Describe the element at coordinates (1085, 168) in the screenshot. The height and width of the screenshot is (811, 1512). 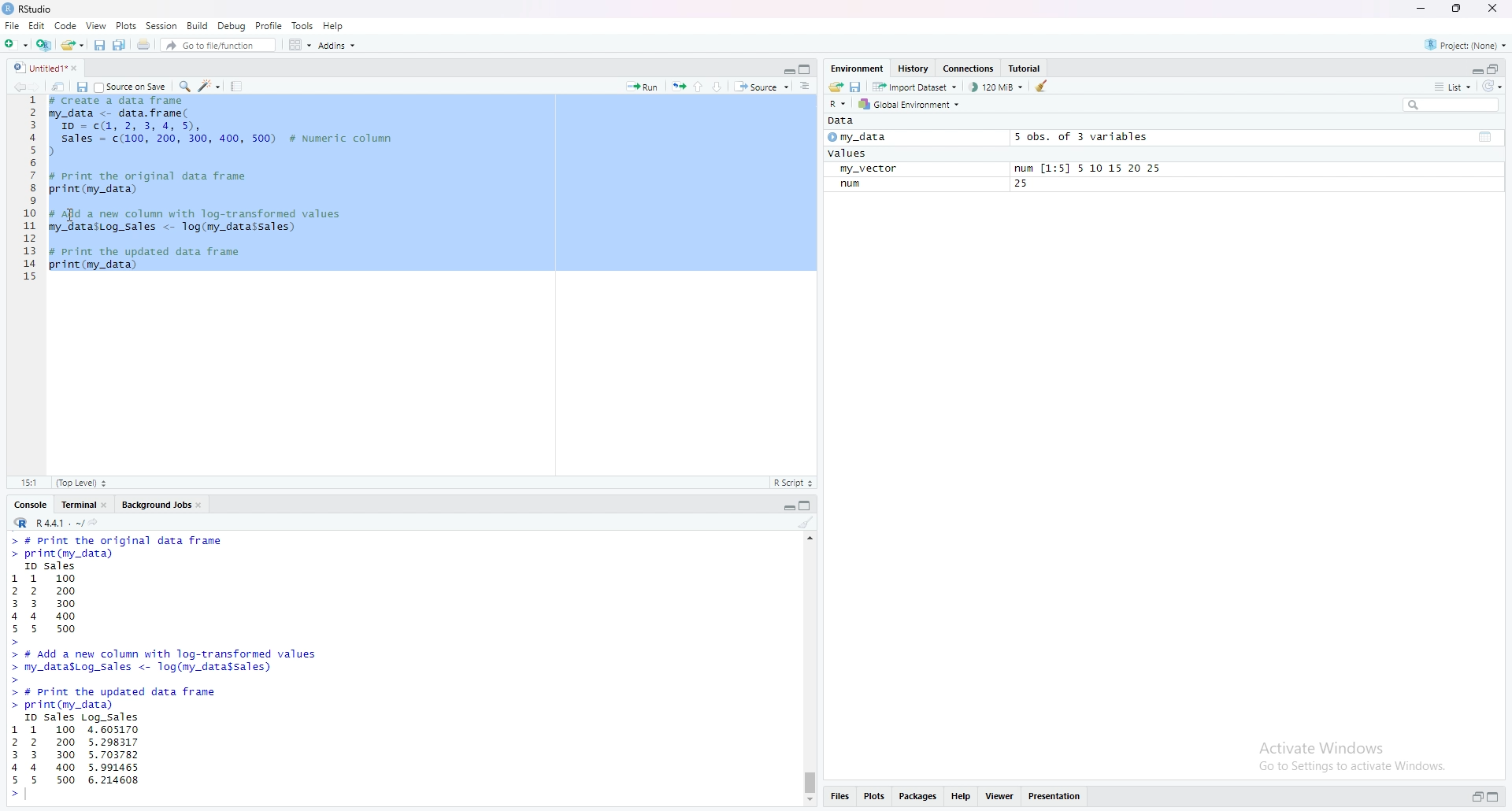
I see `num [1:5] 5 10 15 20 25` at that location.